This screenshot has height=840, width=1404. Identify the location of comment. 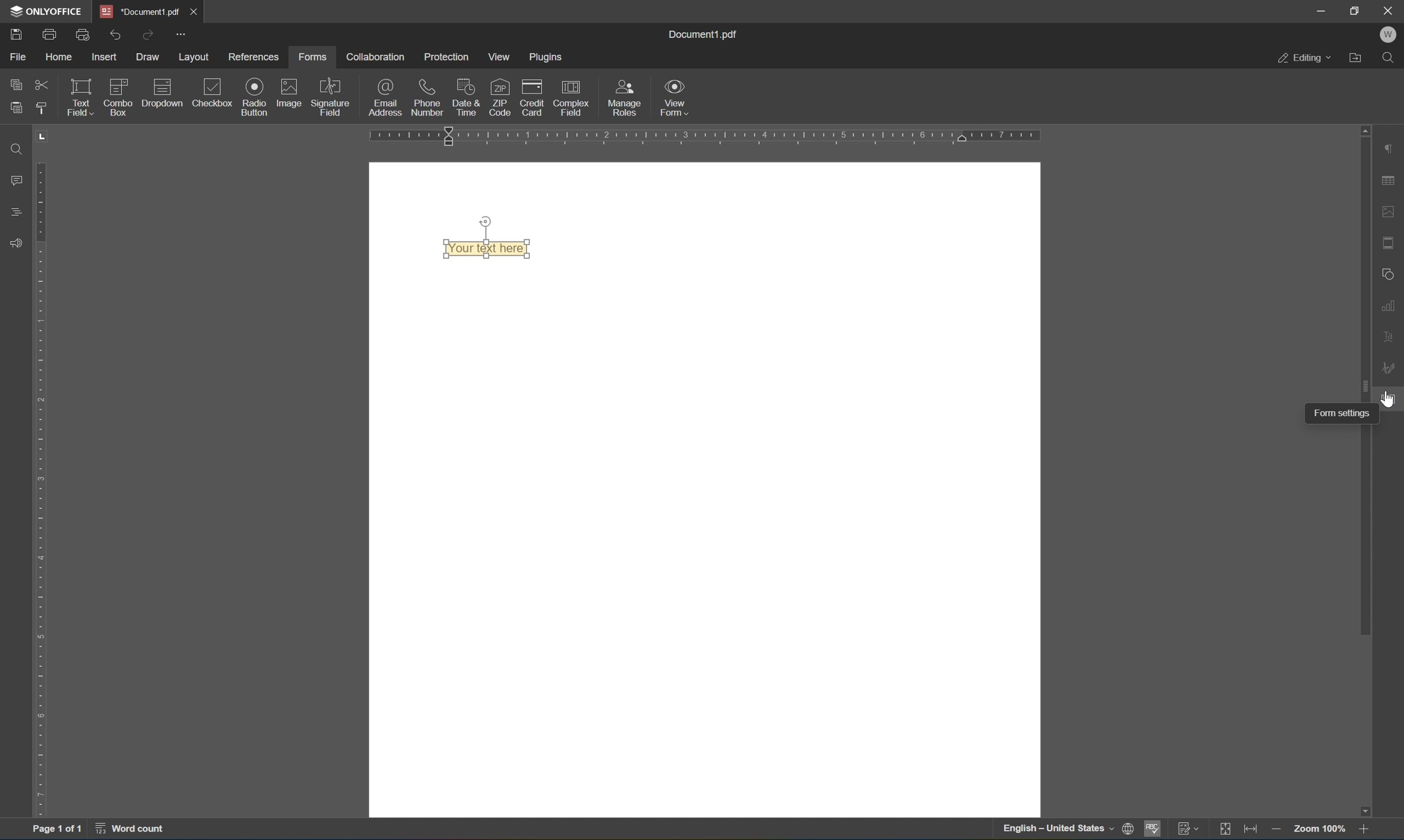
(14, 180).